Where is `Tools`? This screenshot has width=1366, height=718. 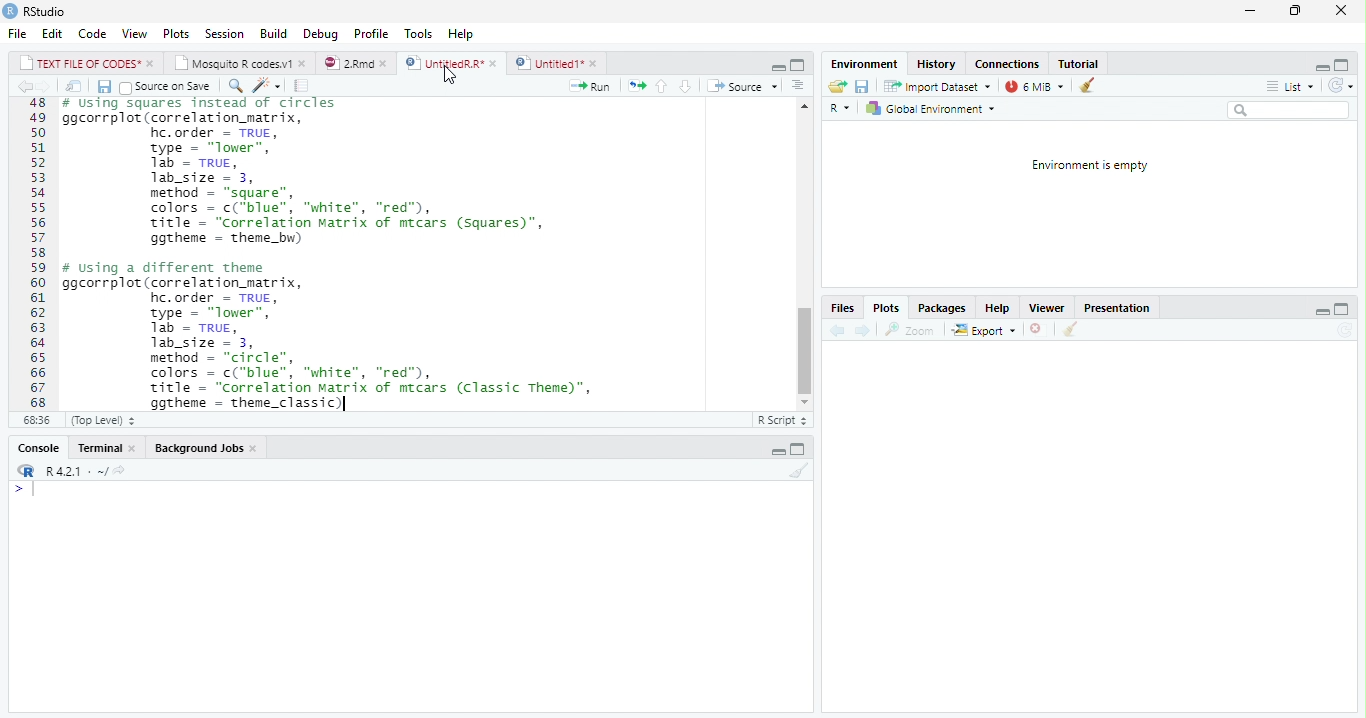 Tools is located at coordinates (417, 32).